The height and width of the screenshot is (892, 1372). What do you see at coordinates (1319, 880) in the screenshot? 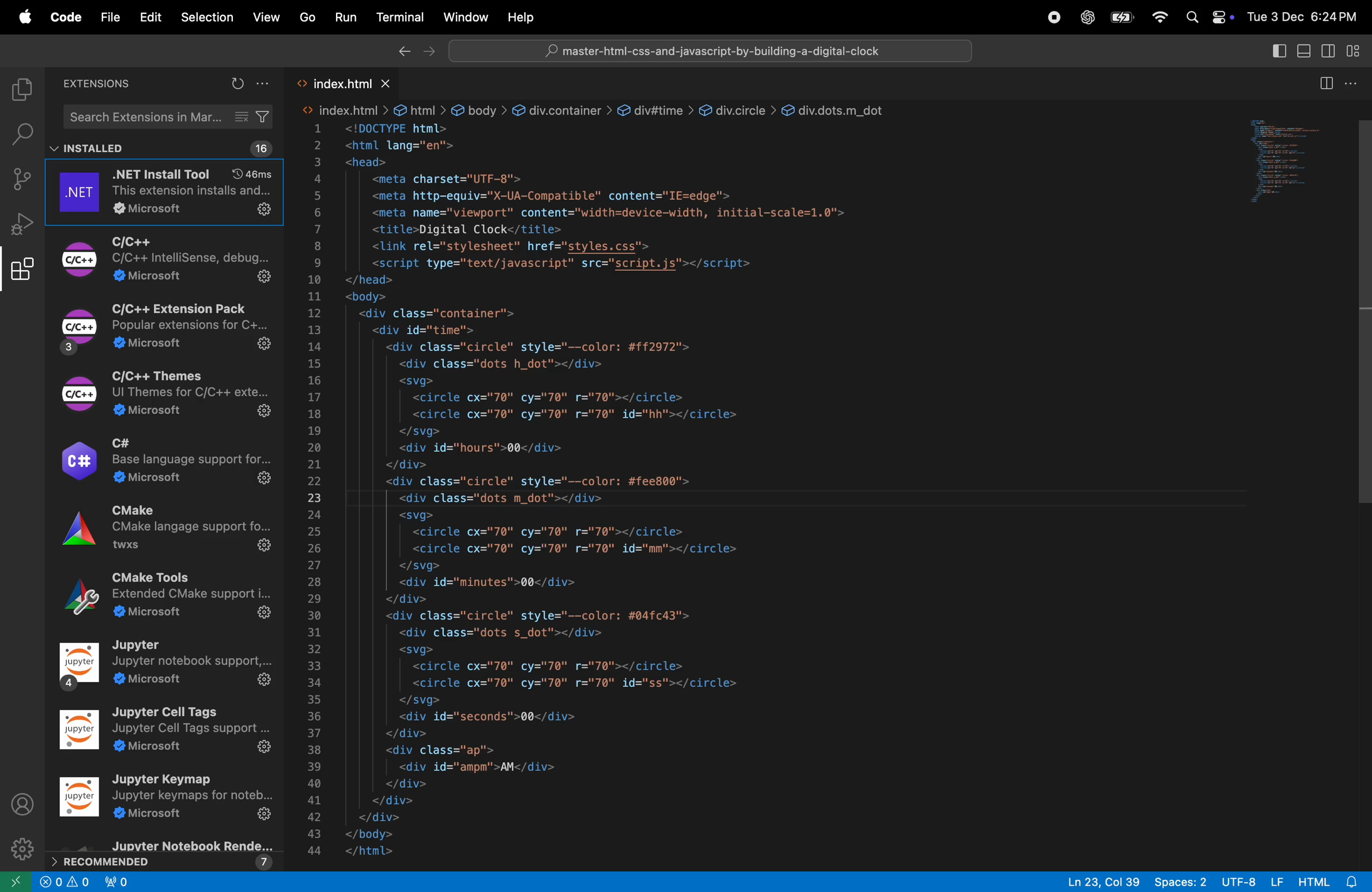
I see `html alert` at bounding box center [1319, 880].